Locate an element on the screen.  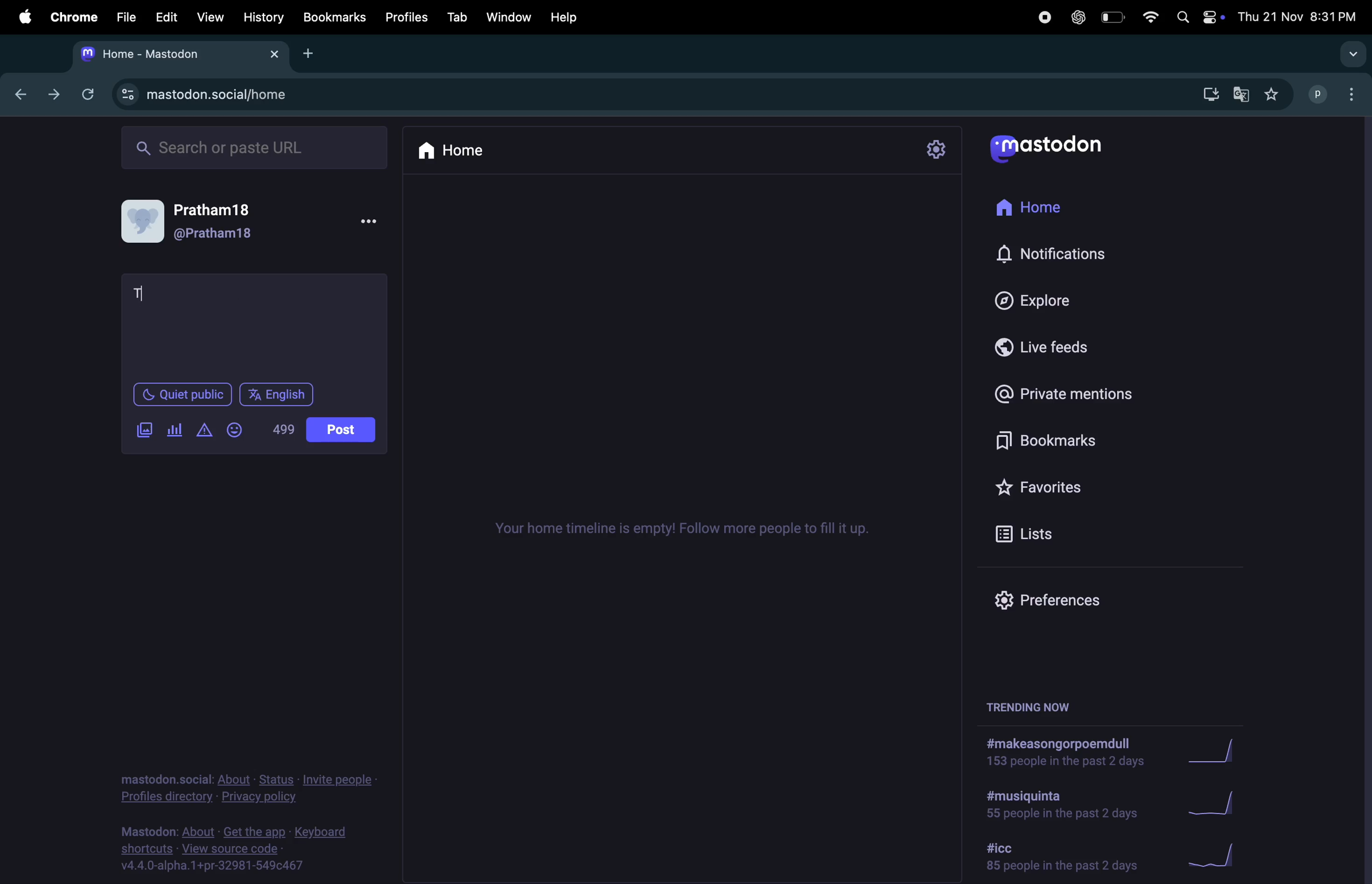
add poll is located at coordinates (174, 429).